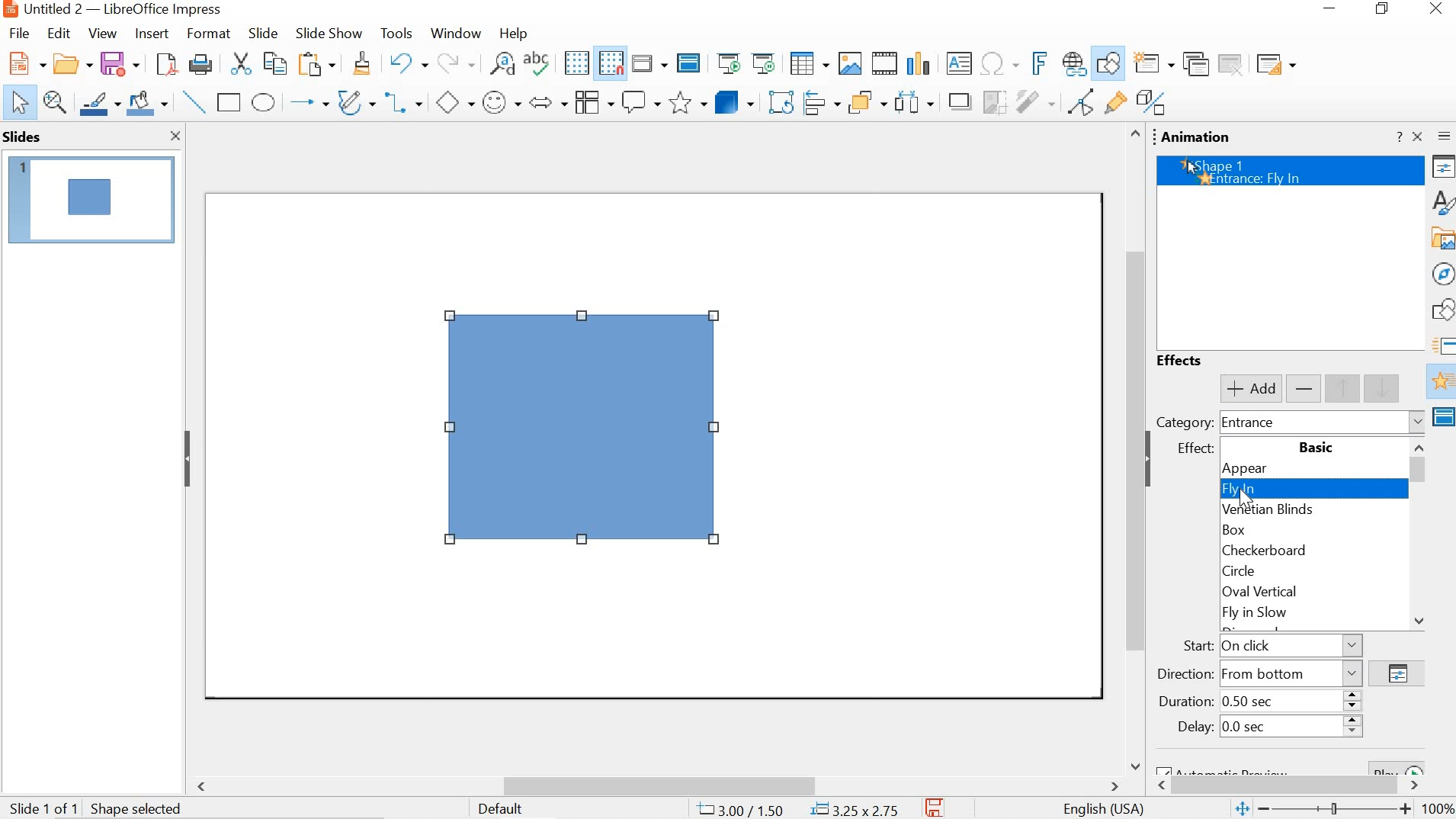 The width and height of the screenshot is (1456, 819). What do you see at coordinates (1250, 388) in the screenshot?
I see `add` at bounding box center [1250, 388].